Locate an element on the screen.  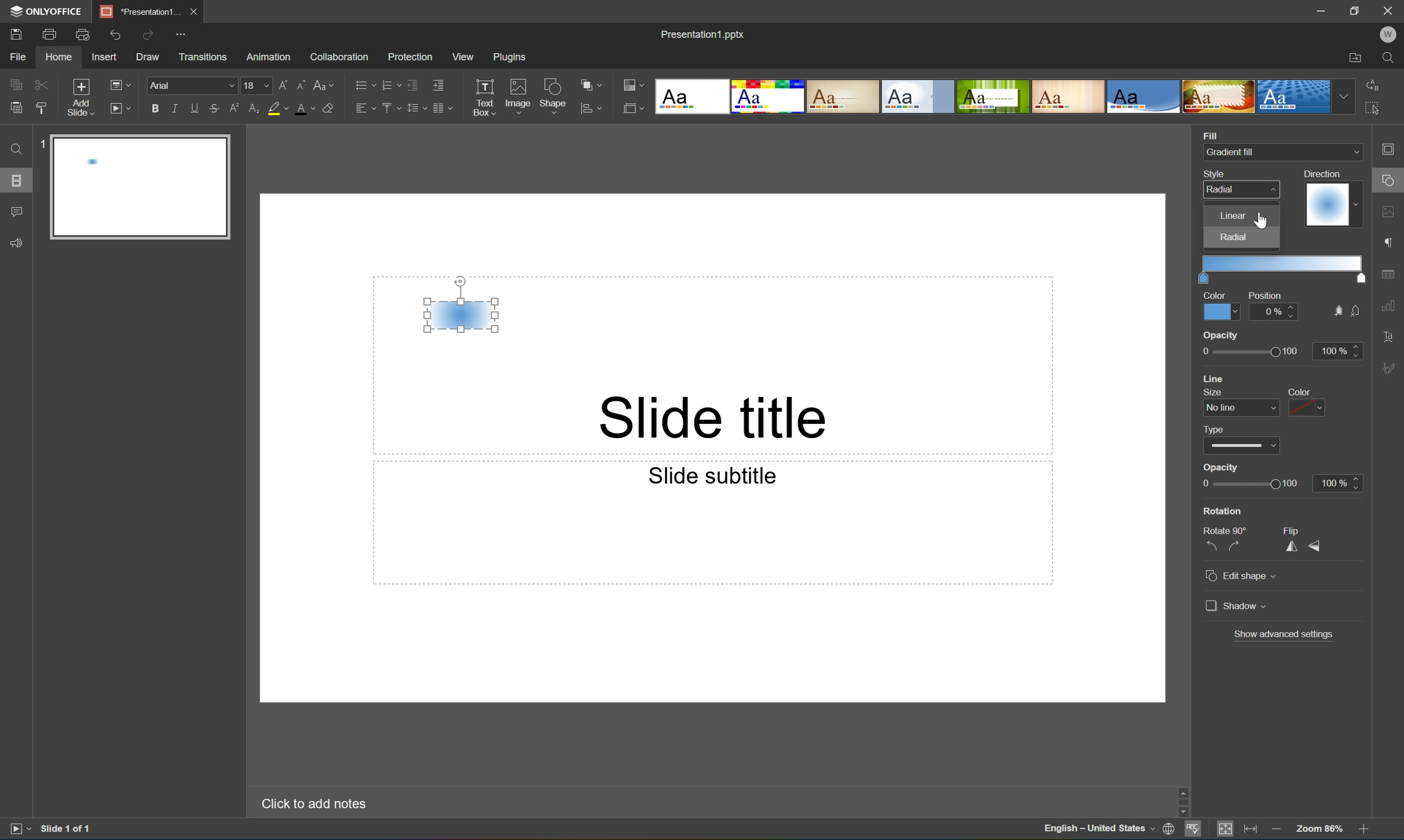
Radial is located at coordinates (1222, 189).